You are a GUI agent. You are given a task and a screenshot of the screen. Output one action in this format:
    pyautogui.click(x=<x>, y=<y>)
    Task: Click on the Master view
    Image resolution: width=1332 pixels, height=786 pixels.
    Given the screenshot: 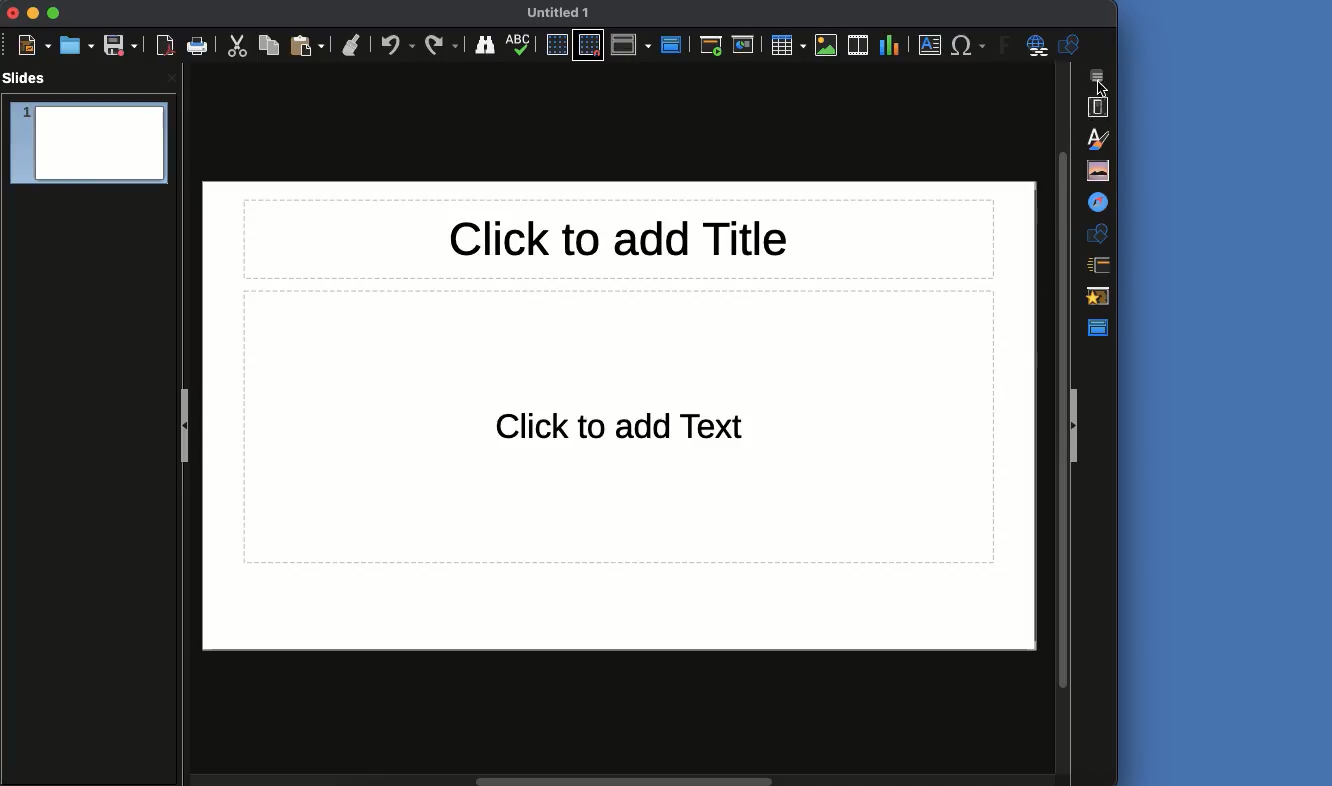 What is the action you would take?
    pyautogui.click(x=1101, y=327)
    